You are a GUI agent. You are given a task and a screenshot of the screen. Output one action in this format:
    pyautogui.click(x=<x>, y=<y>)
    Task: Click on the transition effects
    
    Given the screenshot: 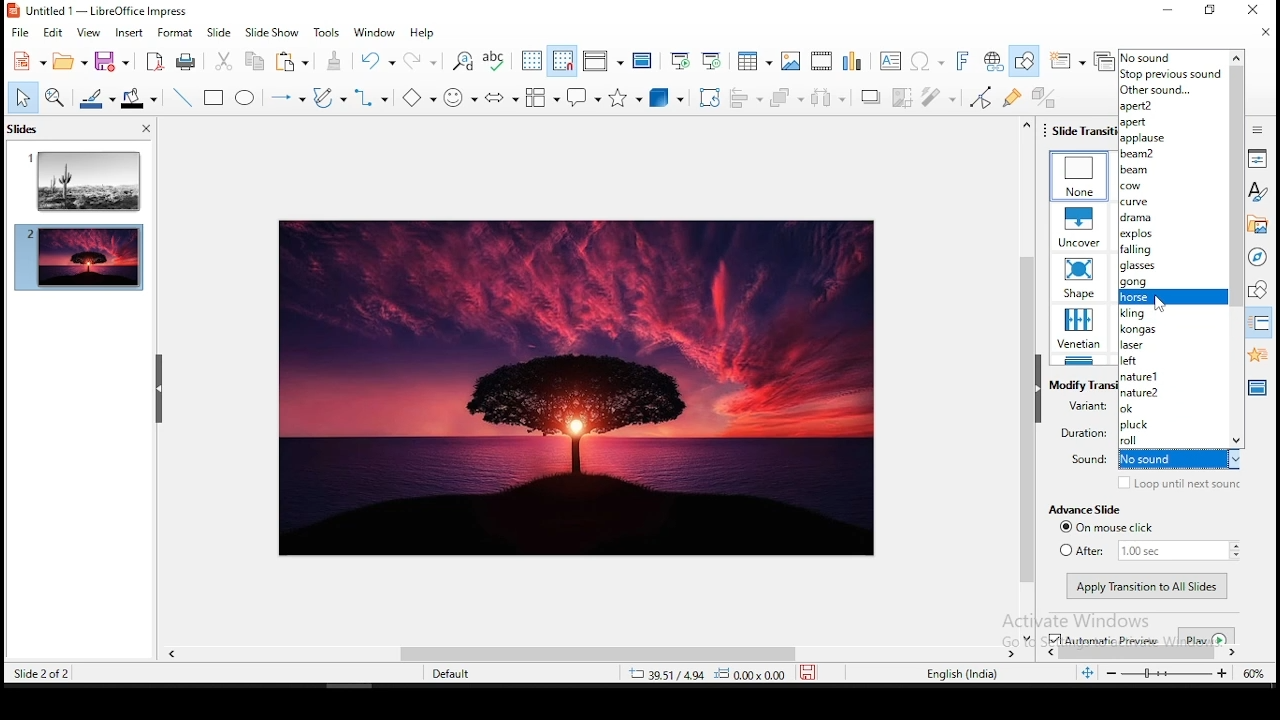 What is the action you would take?
    pyautogui.click(x=1080, y=177)
    